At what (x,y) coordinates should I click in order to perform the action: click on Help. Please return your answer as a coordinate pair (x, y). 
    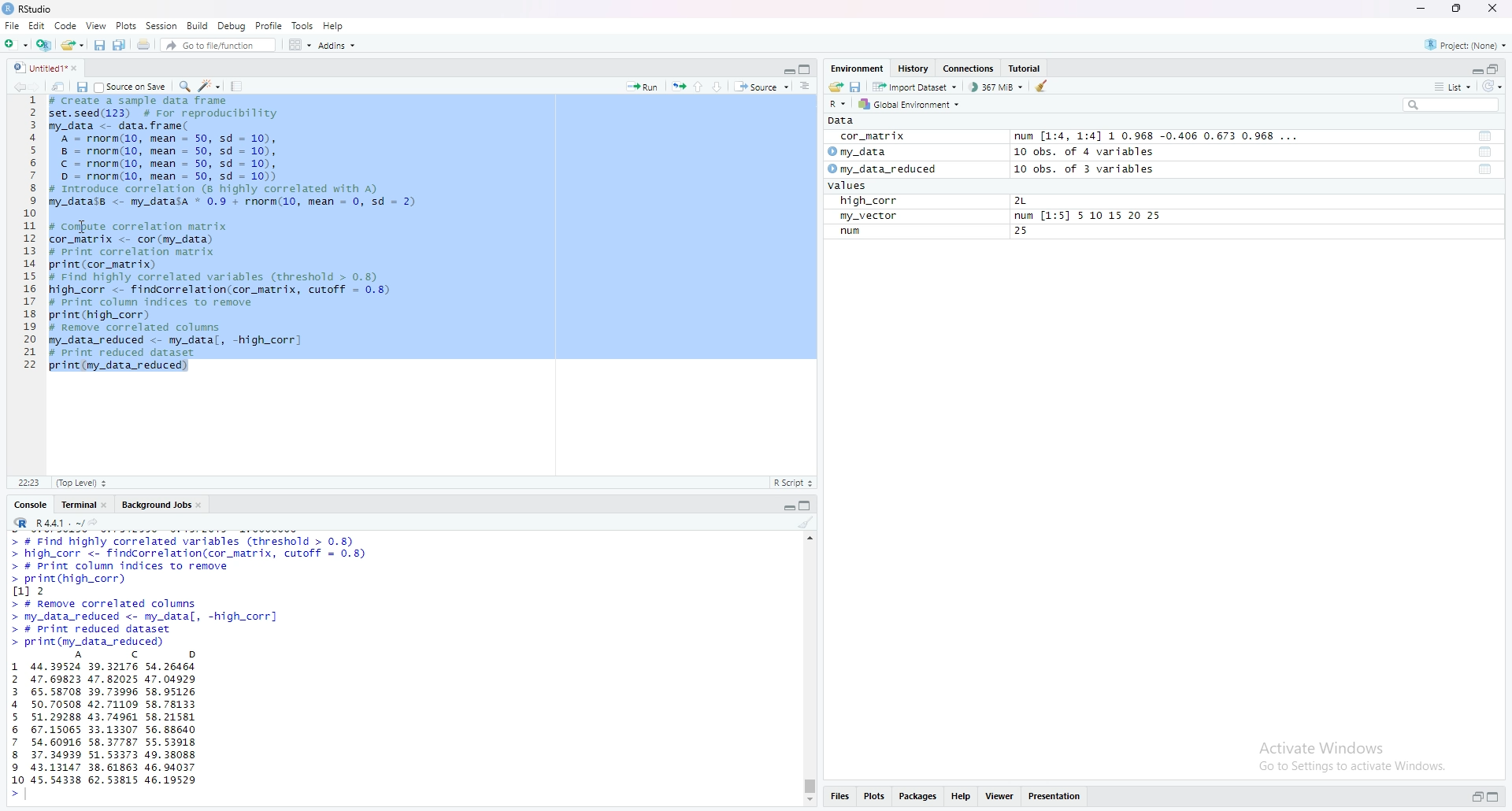
    Looking at the image, I should click on (961, 797).